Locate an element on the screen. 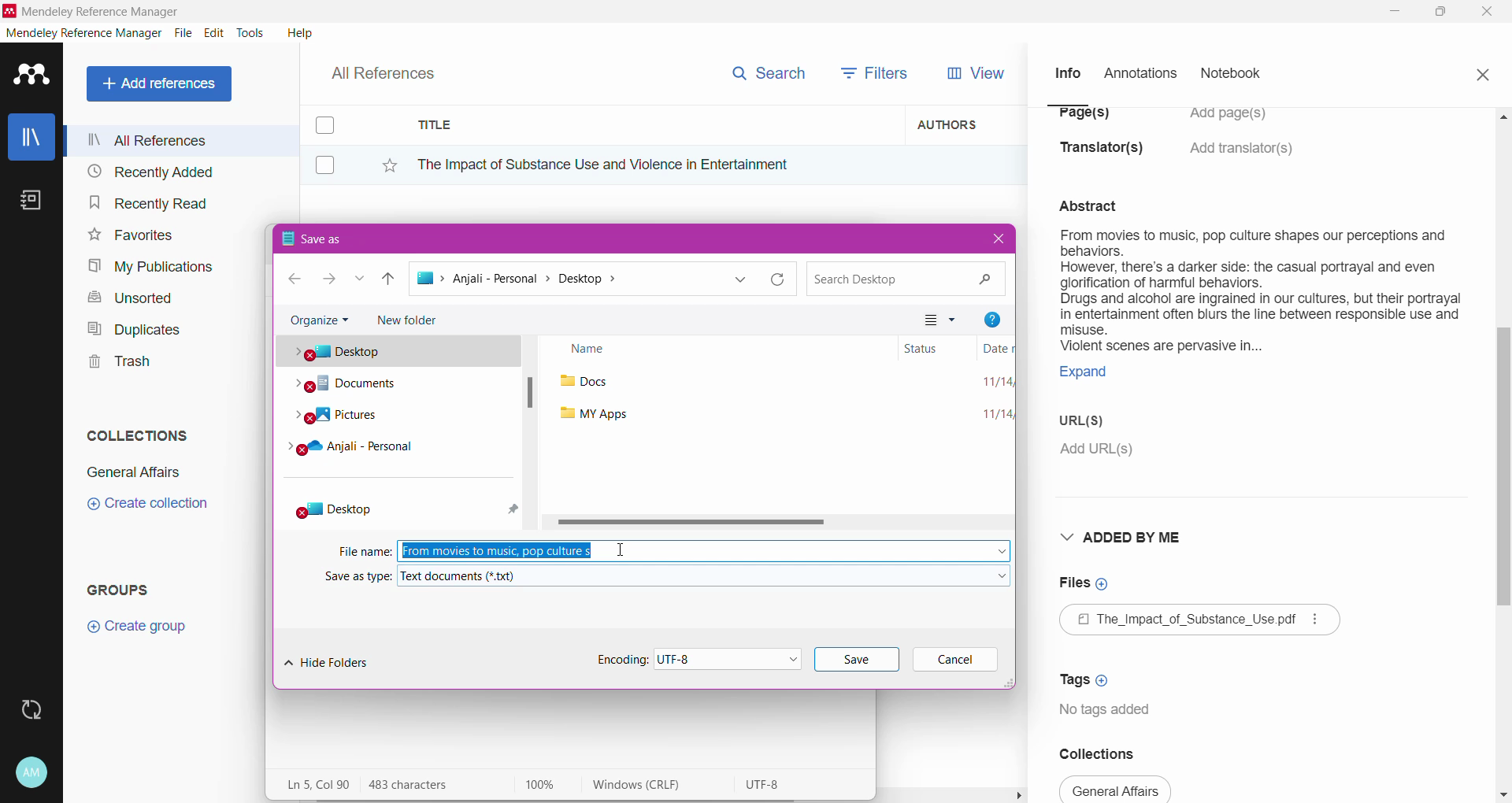 The image size is (1512, 803). Document summary selected to be copied is located at coordinates (1259, 313).